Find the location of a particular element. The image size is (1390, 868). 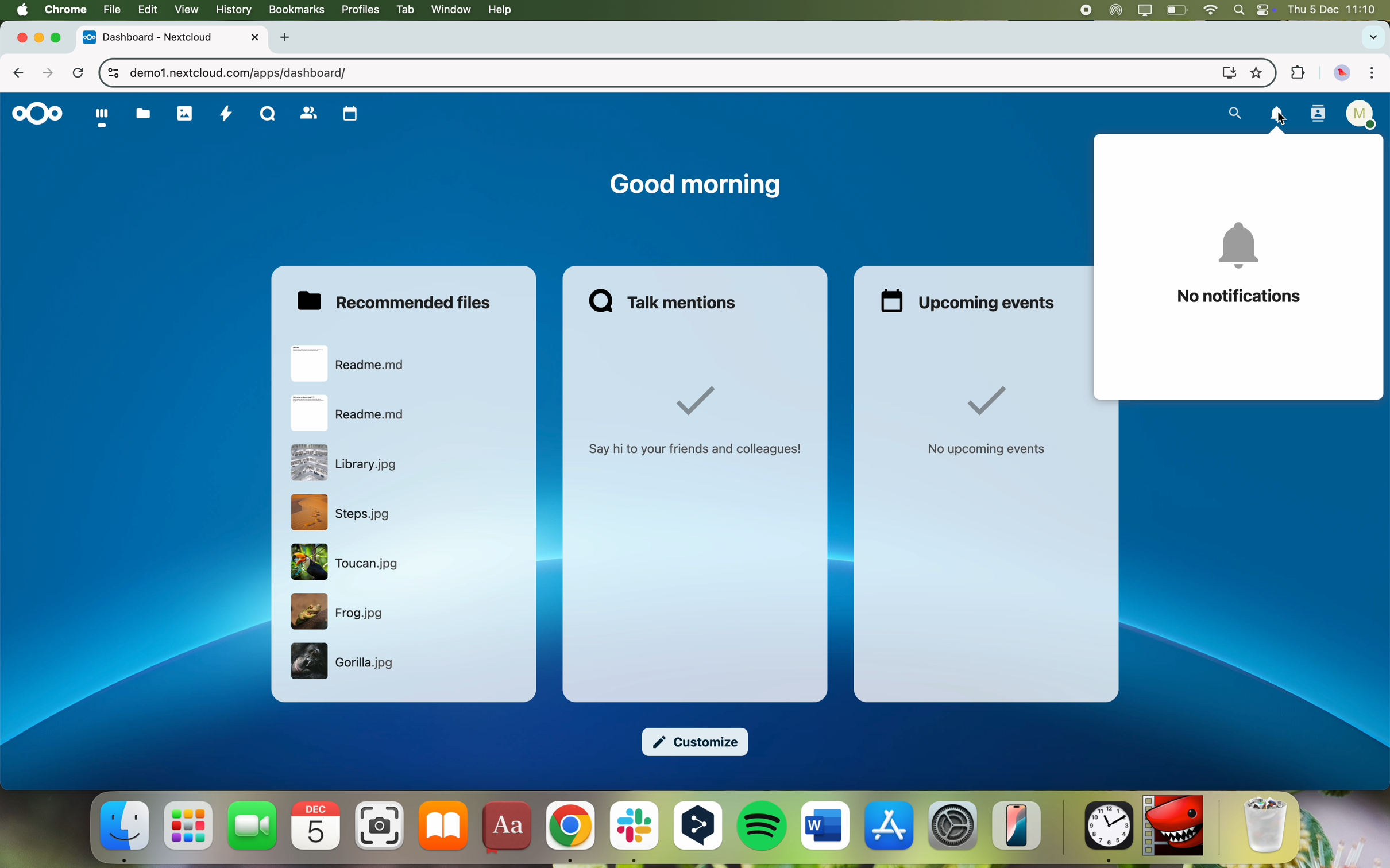

iPhone mirroring is located at coordinates (1017, 826).